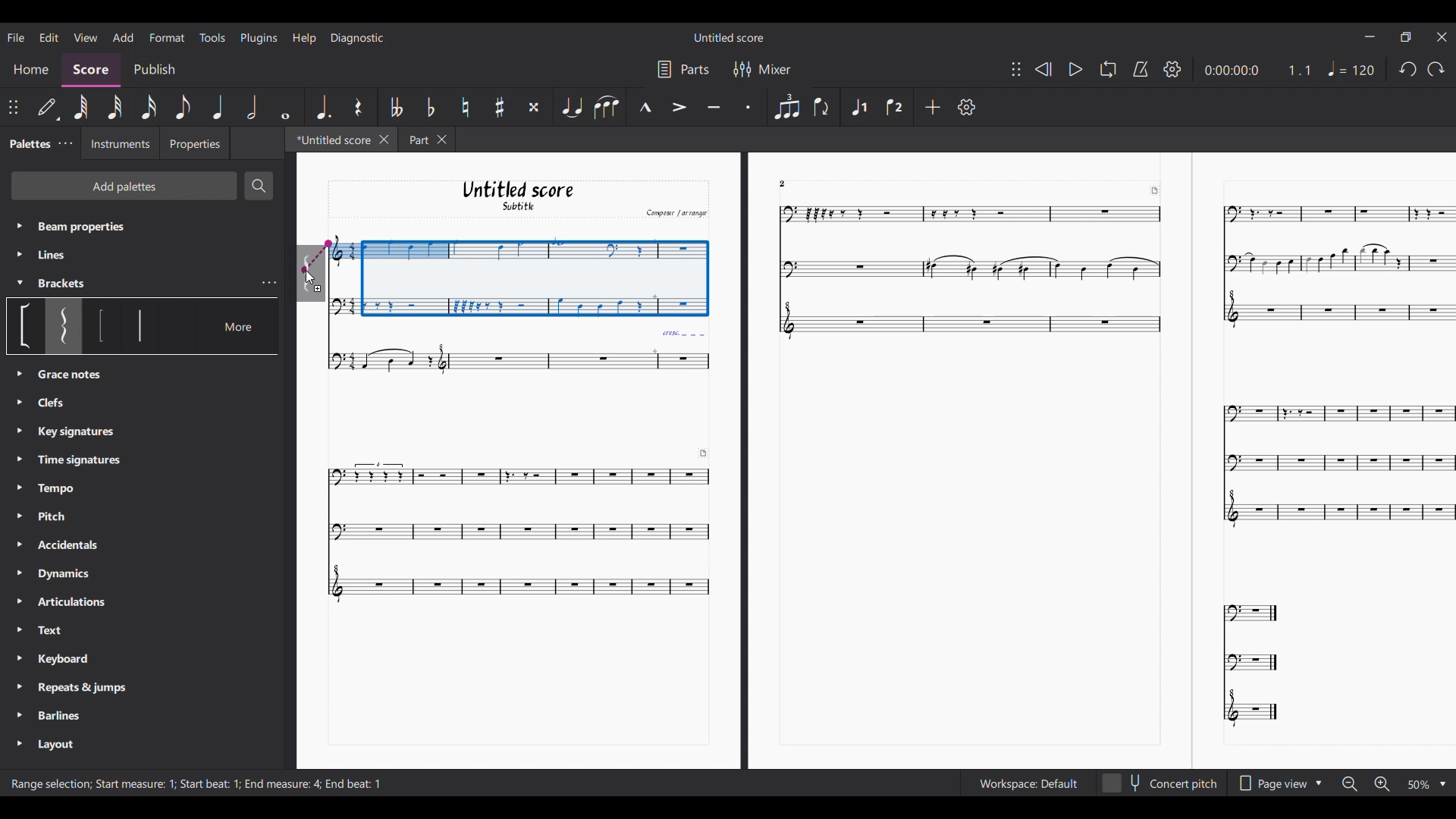  What do you see at coordinates (607, 107) in the screenshot?
I see `Slur` at bounding box center [607, 107].